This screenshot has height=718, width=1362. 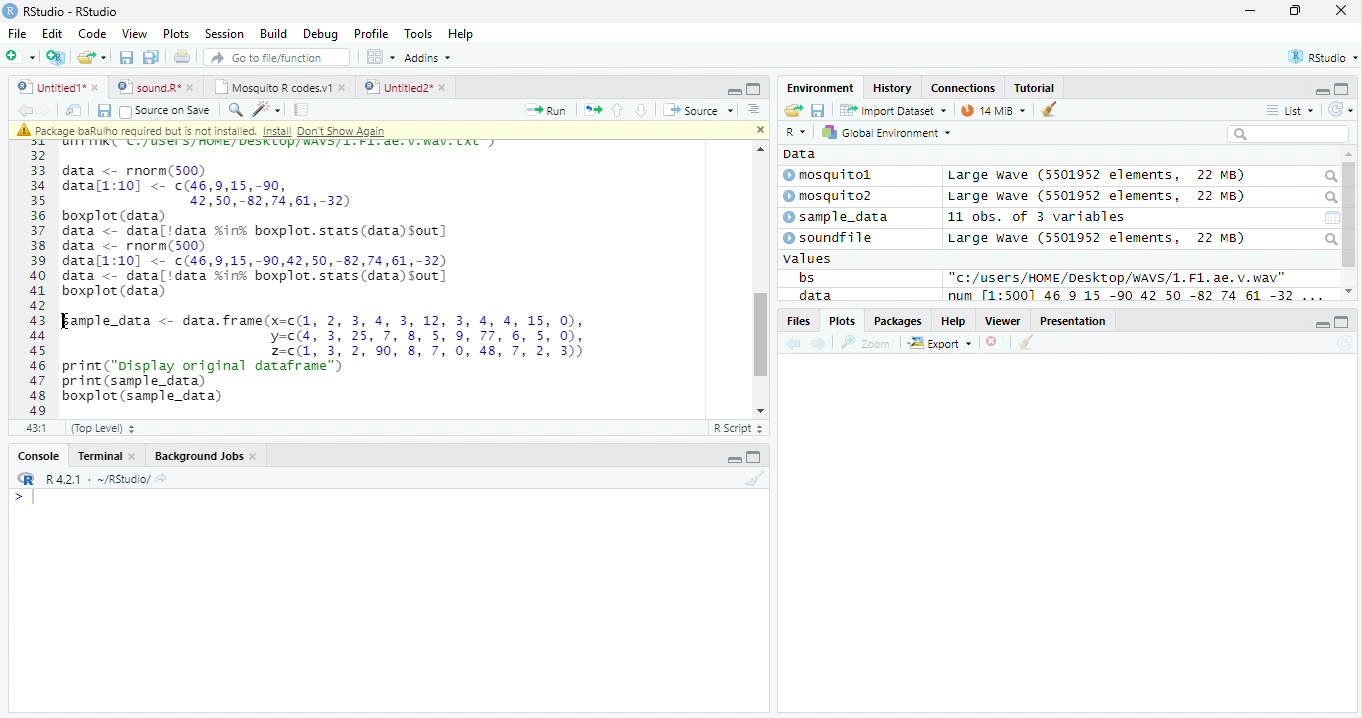 What do you see at coordinates (759, 130) in the screenshot?
I see `close` at bounding box center [759, 130].